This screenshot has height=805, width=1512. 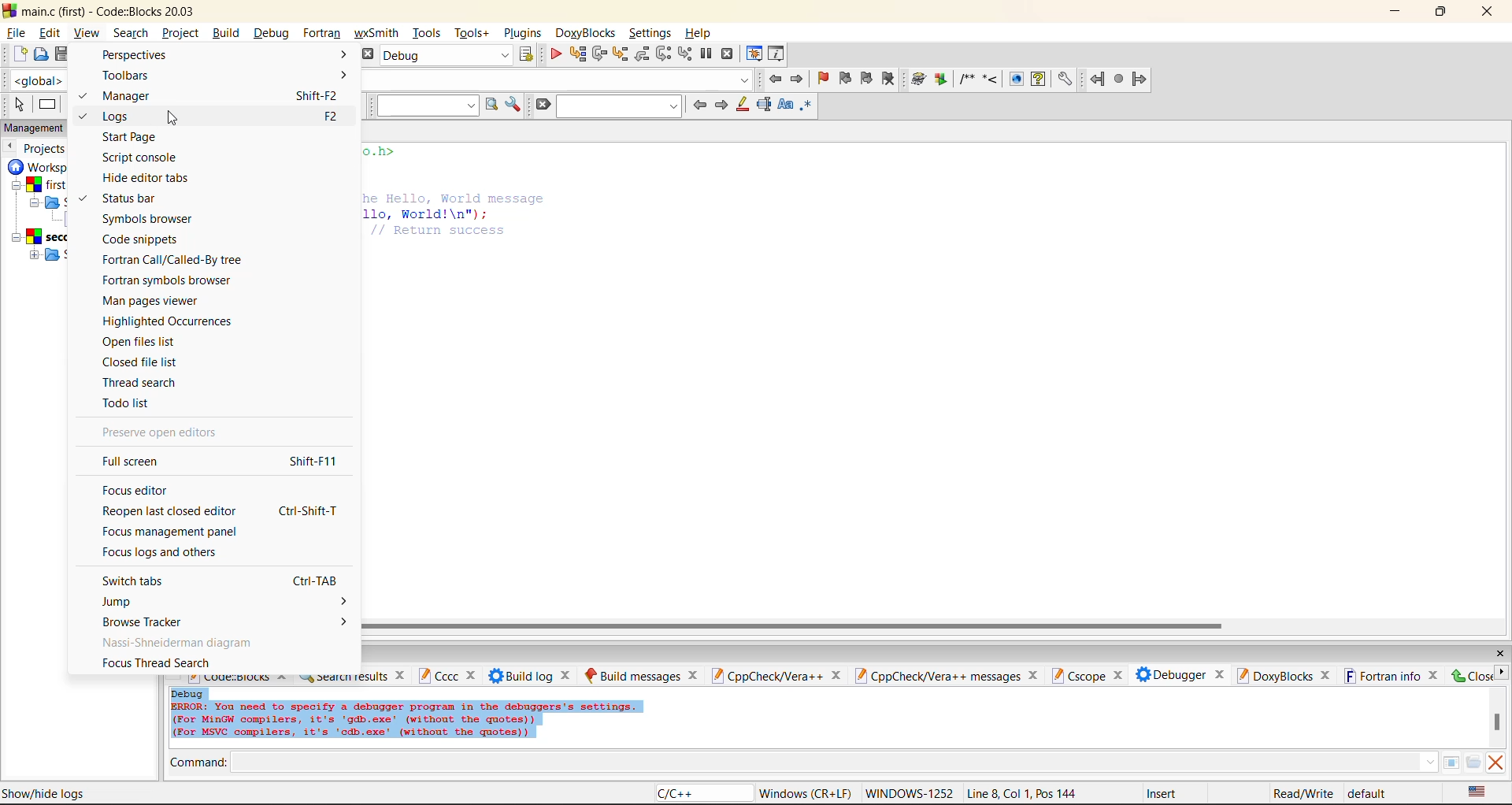 I want to click on view, so click(x=87, y=31).